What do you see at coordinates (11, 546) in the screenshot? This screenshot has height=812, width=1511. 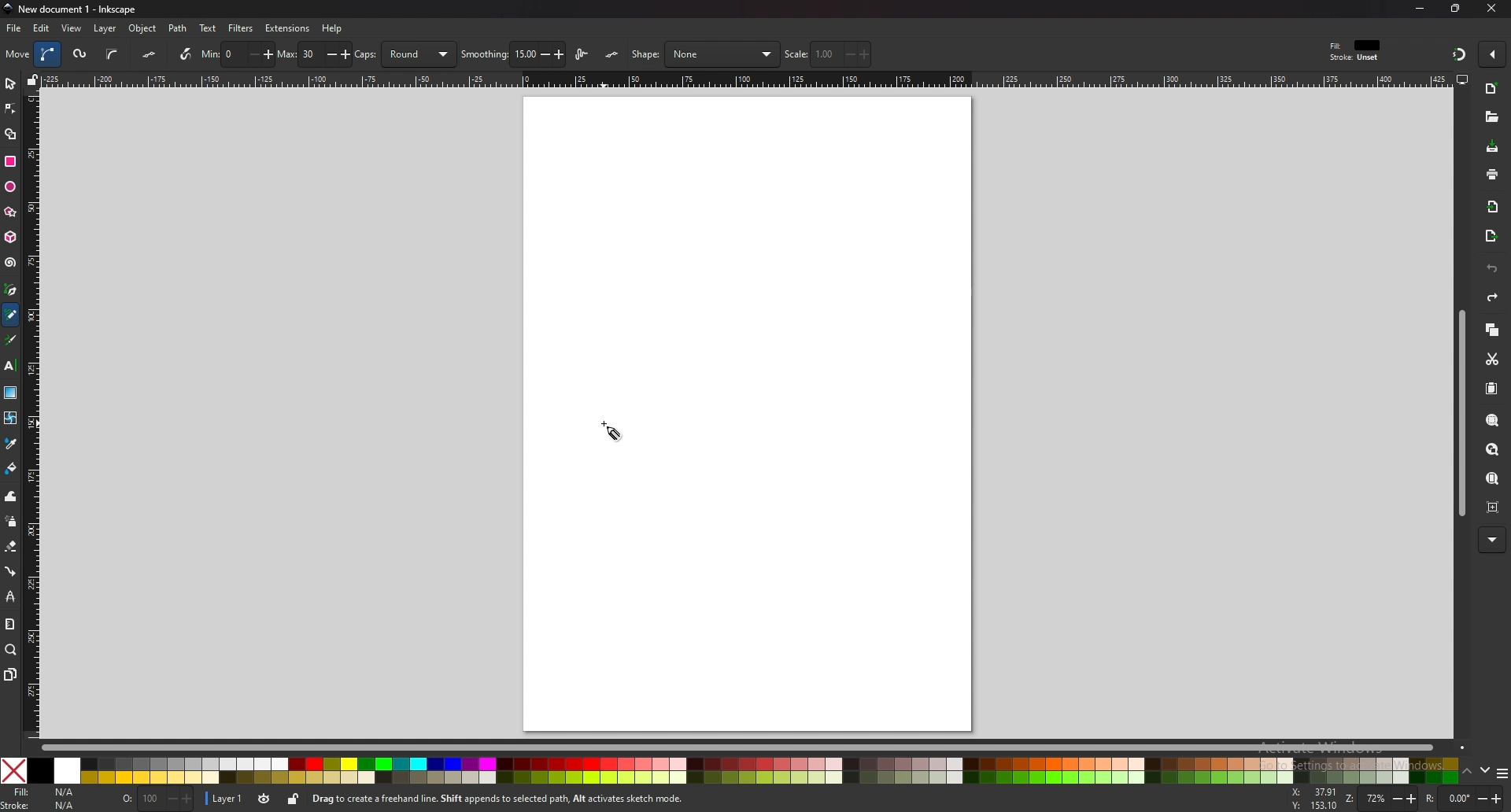 I see `eraser` at bounding box center [11, 546].